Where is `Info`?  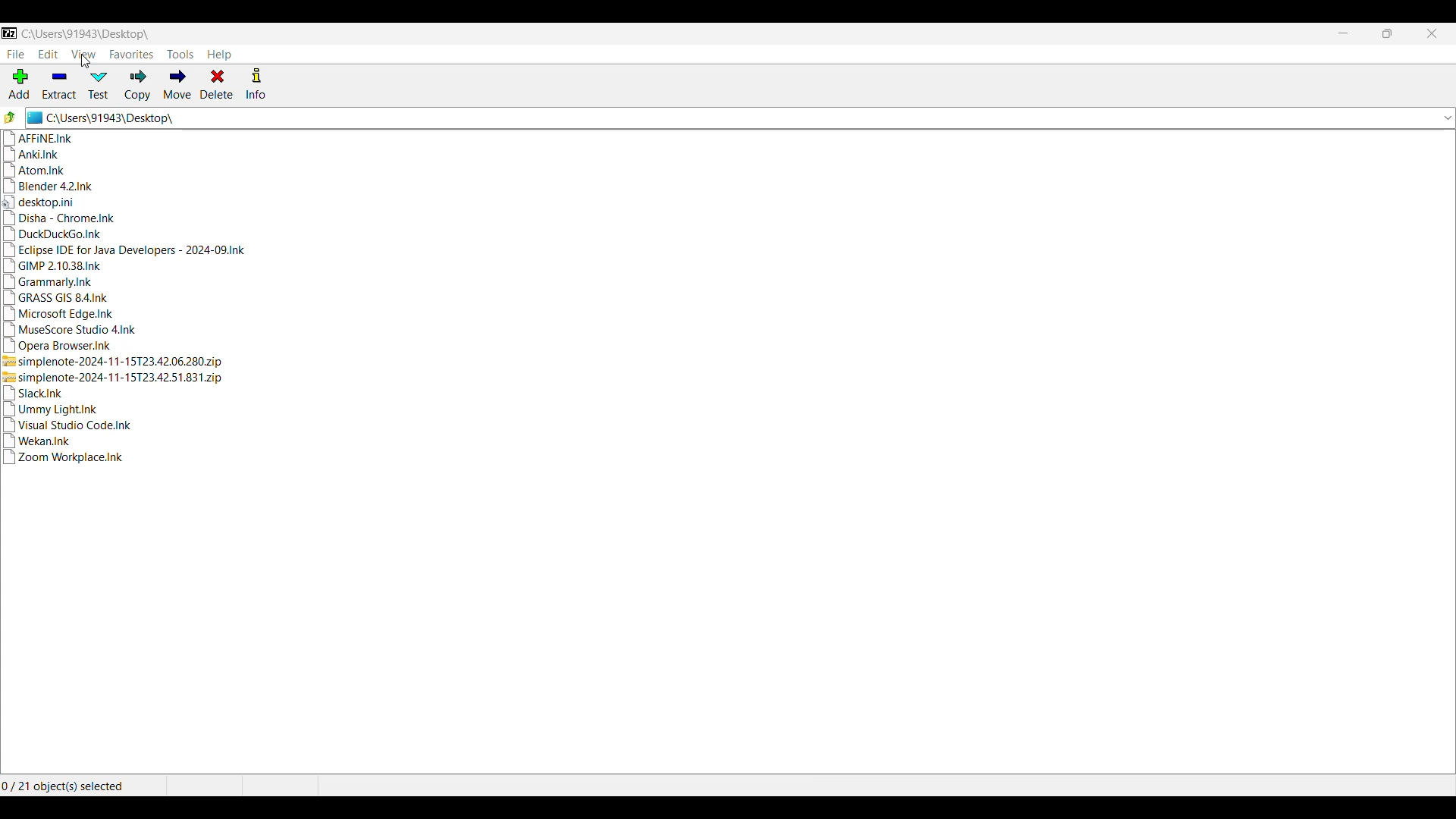 Info is located at coordinates (256, 84).